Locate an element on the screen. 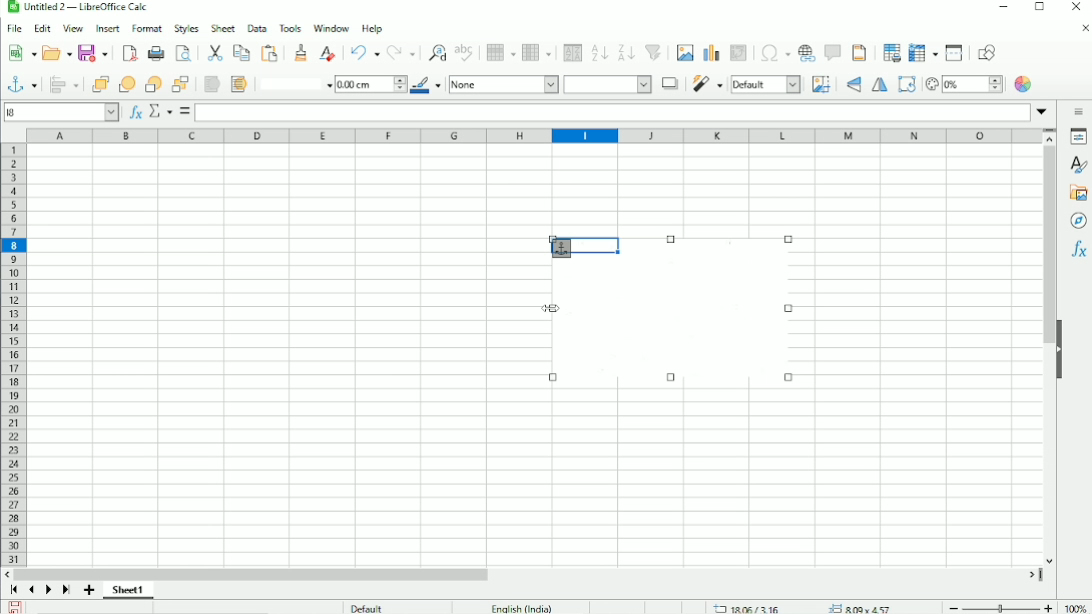 This screenshot has width=1092, height=614. Tools is located at coordinates (289, 27).